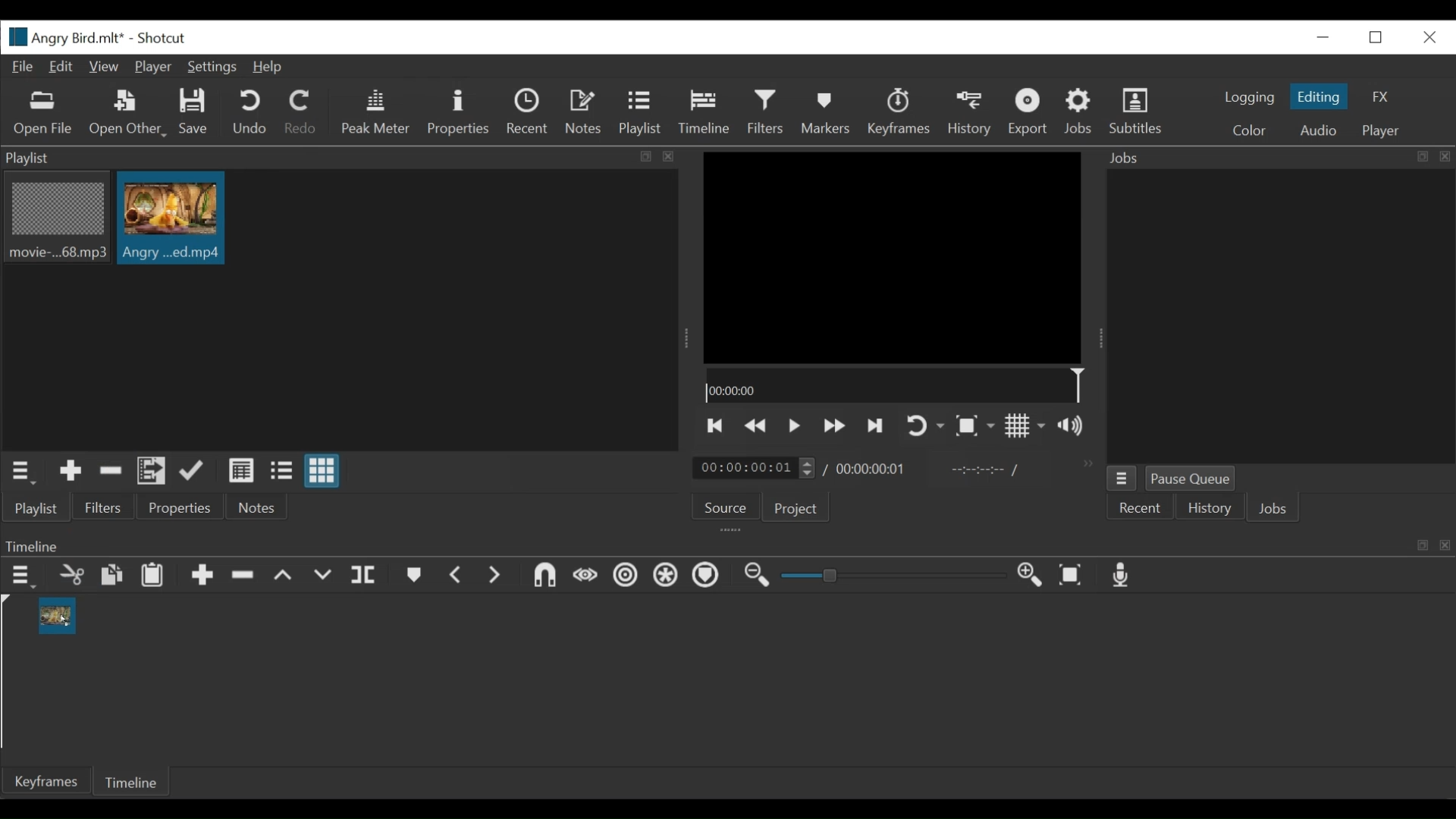 This screenshot has width=1456, height=819. What do you see at coordinates (585, 112) in the screenshot?
I see `Notes` at bounding box center [585, 112].